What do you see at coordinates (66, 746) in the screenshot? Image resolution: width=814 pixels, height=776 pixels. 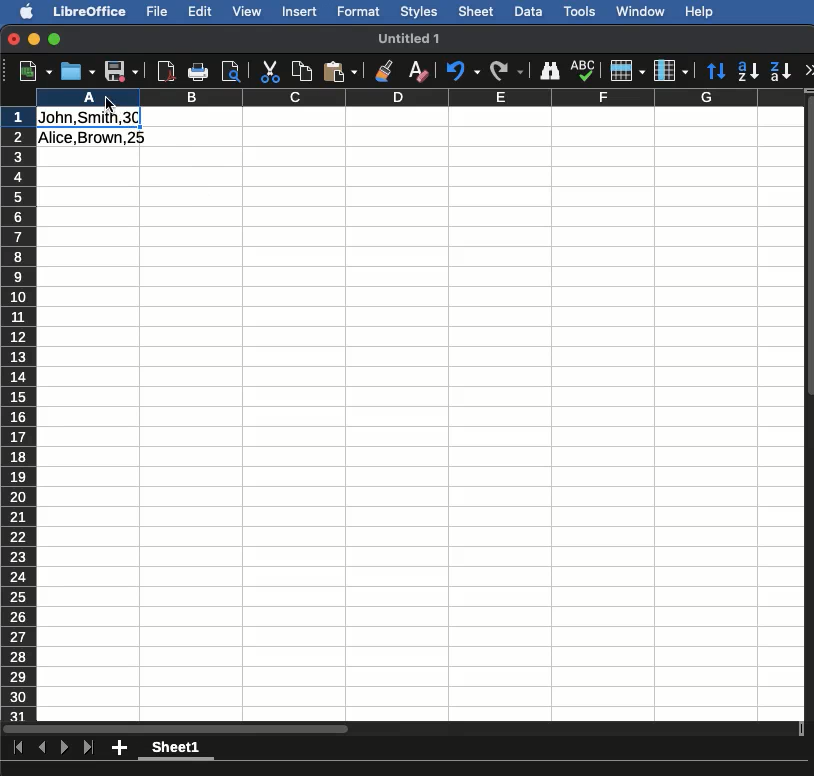 I see `Next sheet` at bounding box center [66, 746].